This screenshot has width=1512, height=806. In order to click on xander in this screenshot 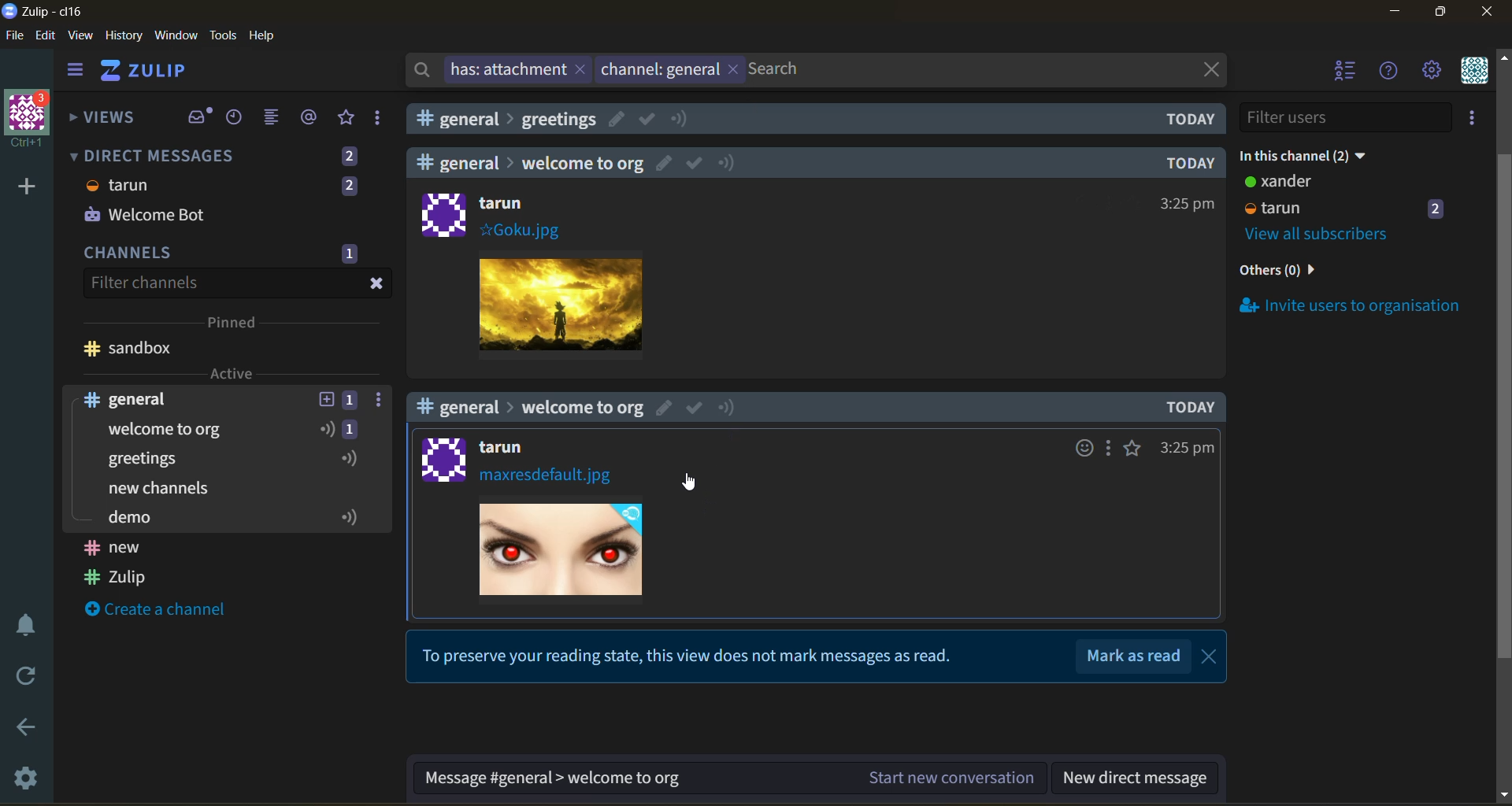, I will do `click(1275, 155)`.